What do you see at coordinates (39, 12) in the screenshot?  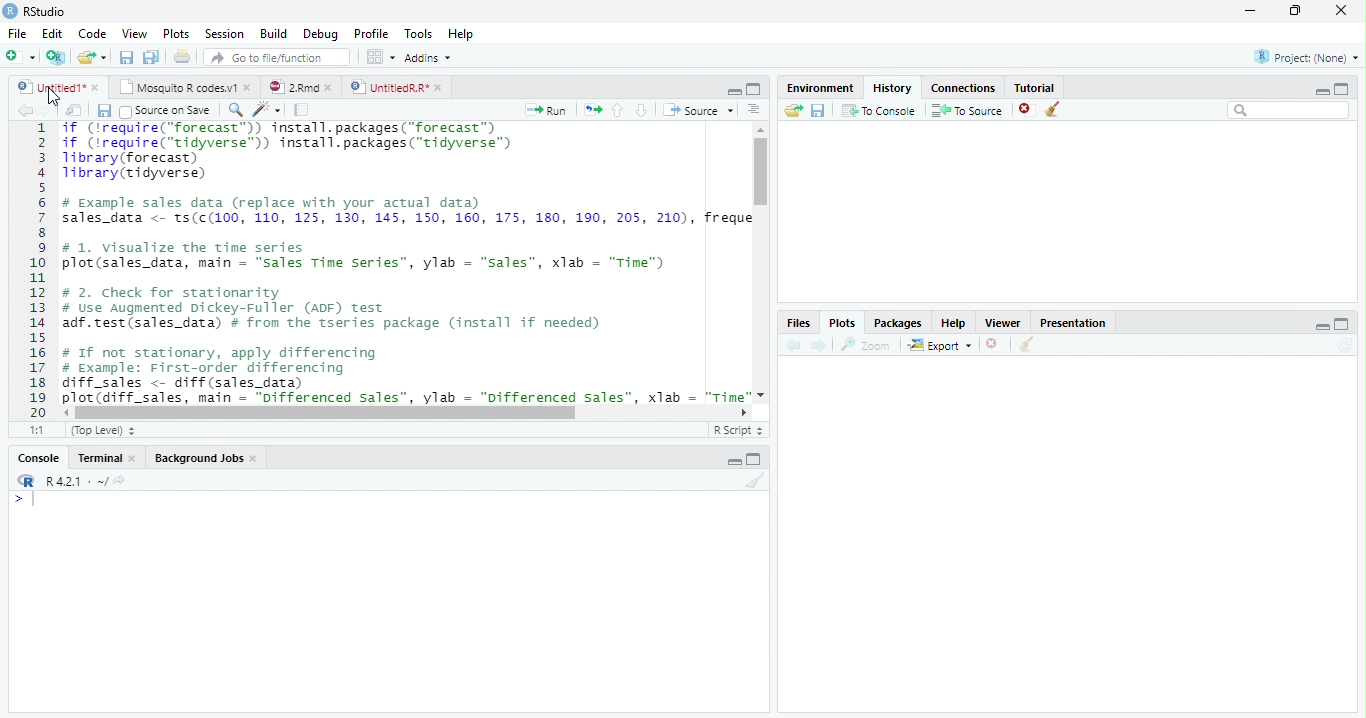 I see `RStudio` at bounding box center [39, 12].